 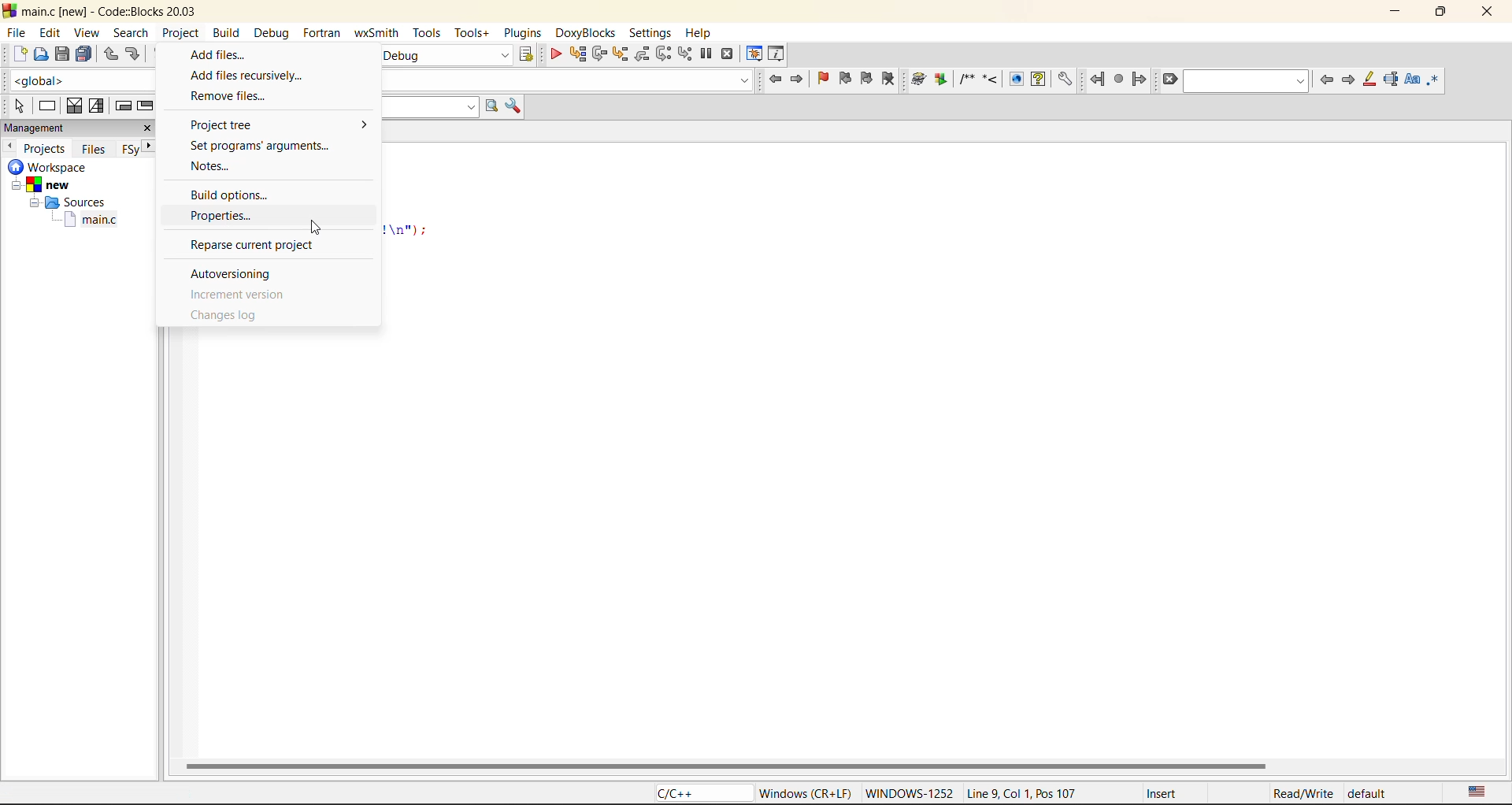 What do you see at coordinates (87, 33) in the screenshot?
I see `view` at bounding box center [87, 33].